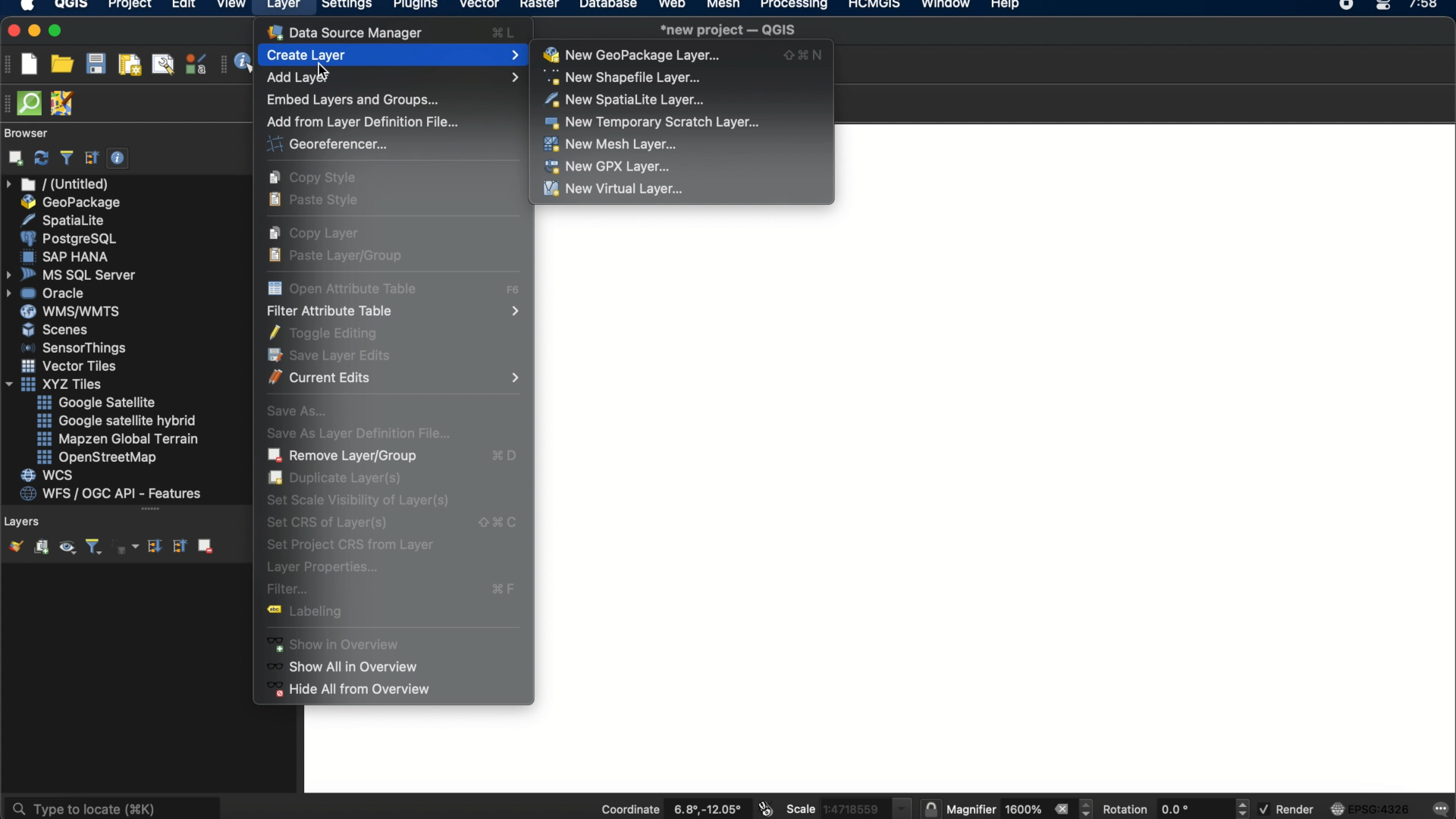  What do you see at coordinates (184, 6) in the screenshot?
I see `edit` at bounding box center [184, 6].